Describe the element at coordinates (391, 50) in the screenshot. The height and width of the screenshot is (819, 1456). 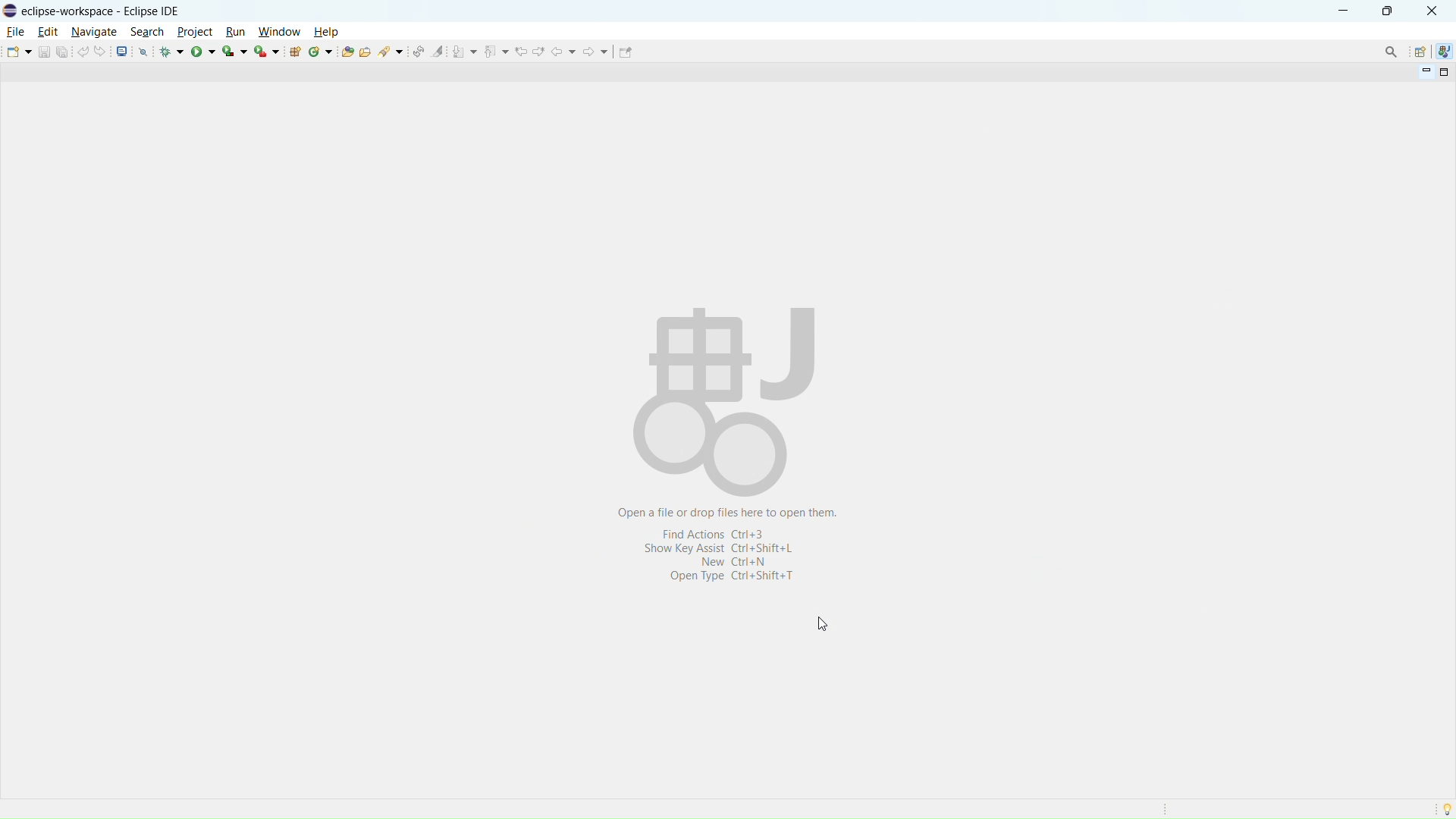
I see `search` at that location.